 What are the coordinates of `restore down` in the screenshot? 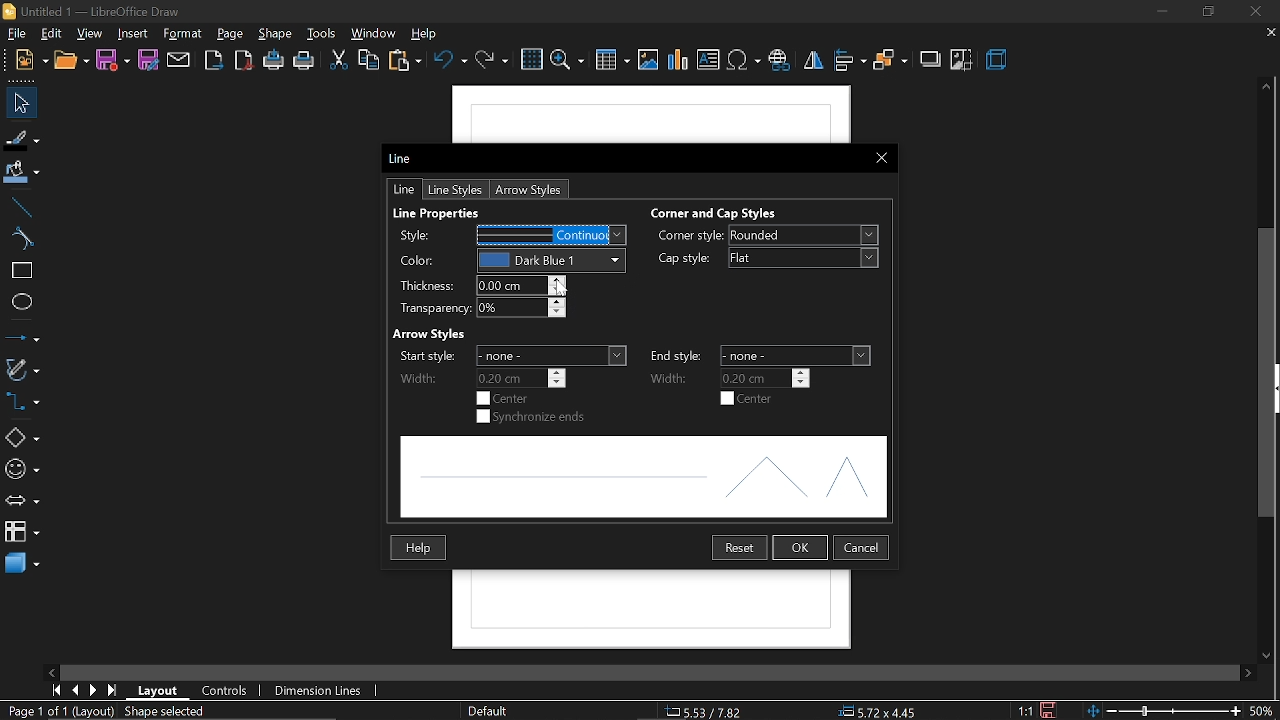 It's located at (1207, 12).